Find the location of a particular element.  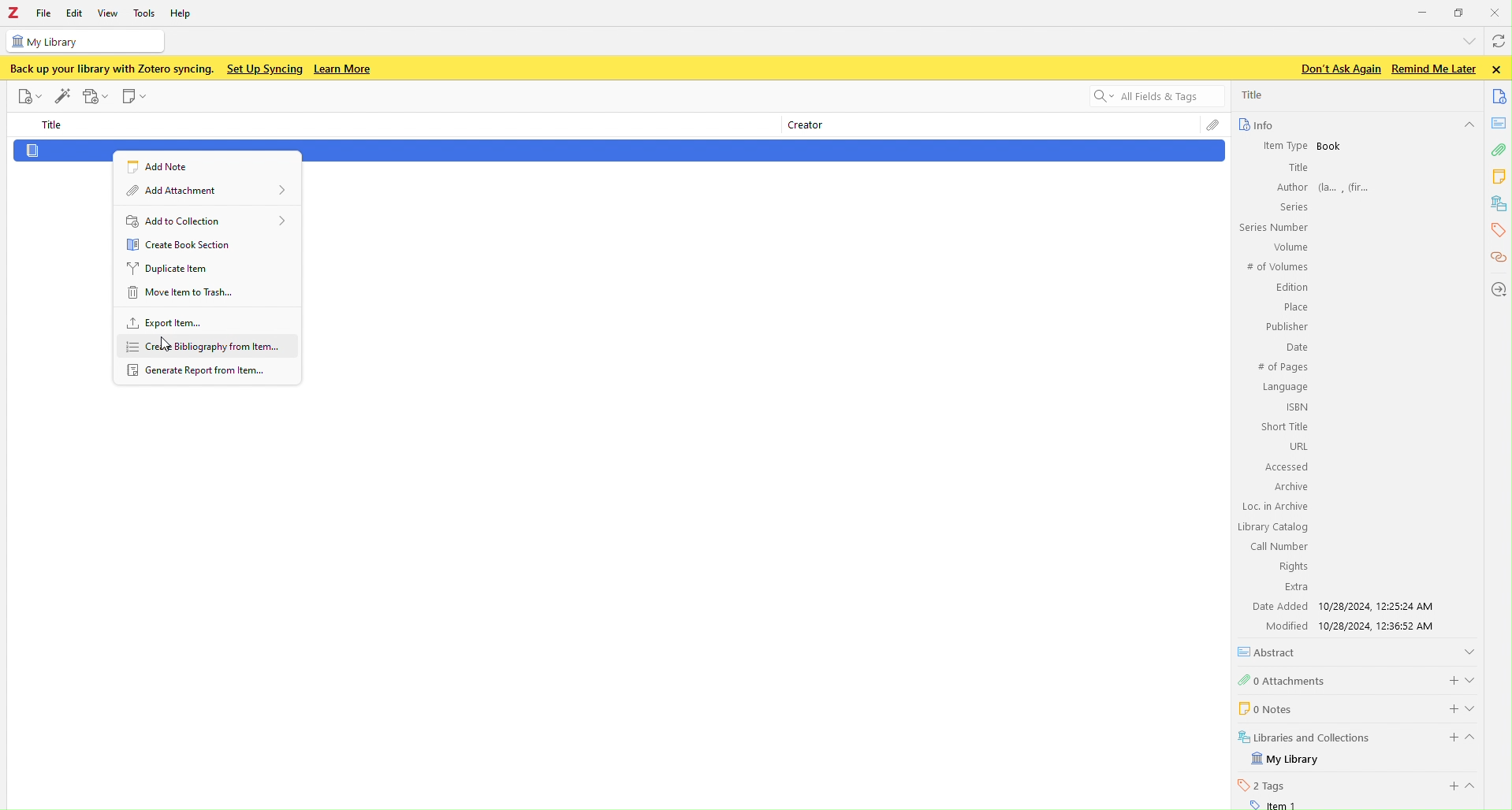

10/28/2024, 12:25:24 AM is located at coordinates (1381, 606).